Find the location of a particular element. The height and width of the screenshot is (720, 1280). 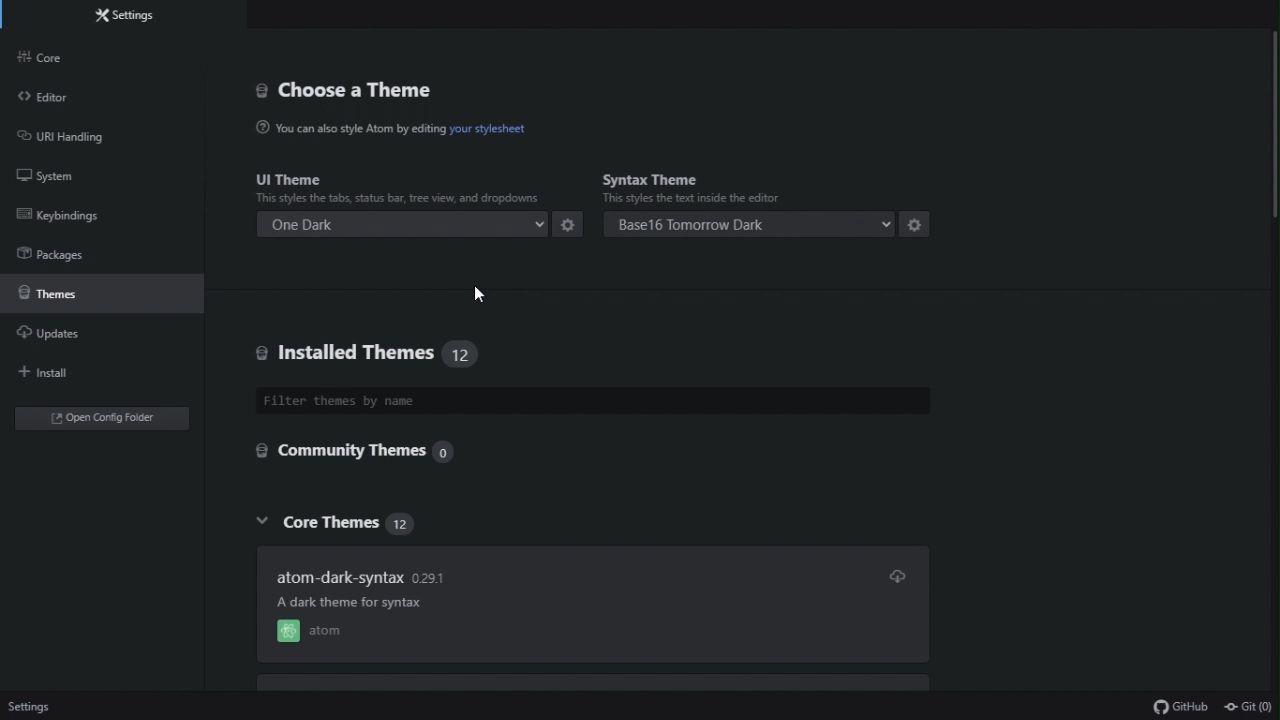

Git is located at coordinates (1249, 707).